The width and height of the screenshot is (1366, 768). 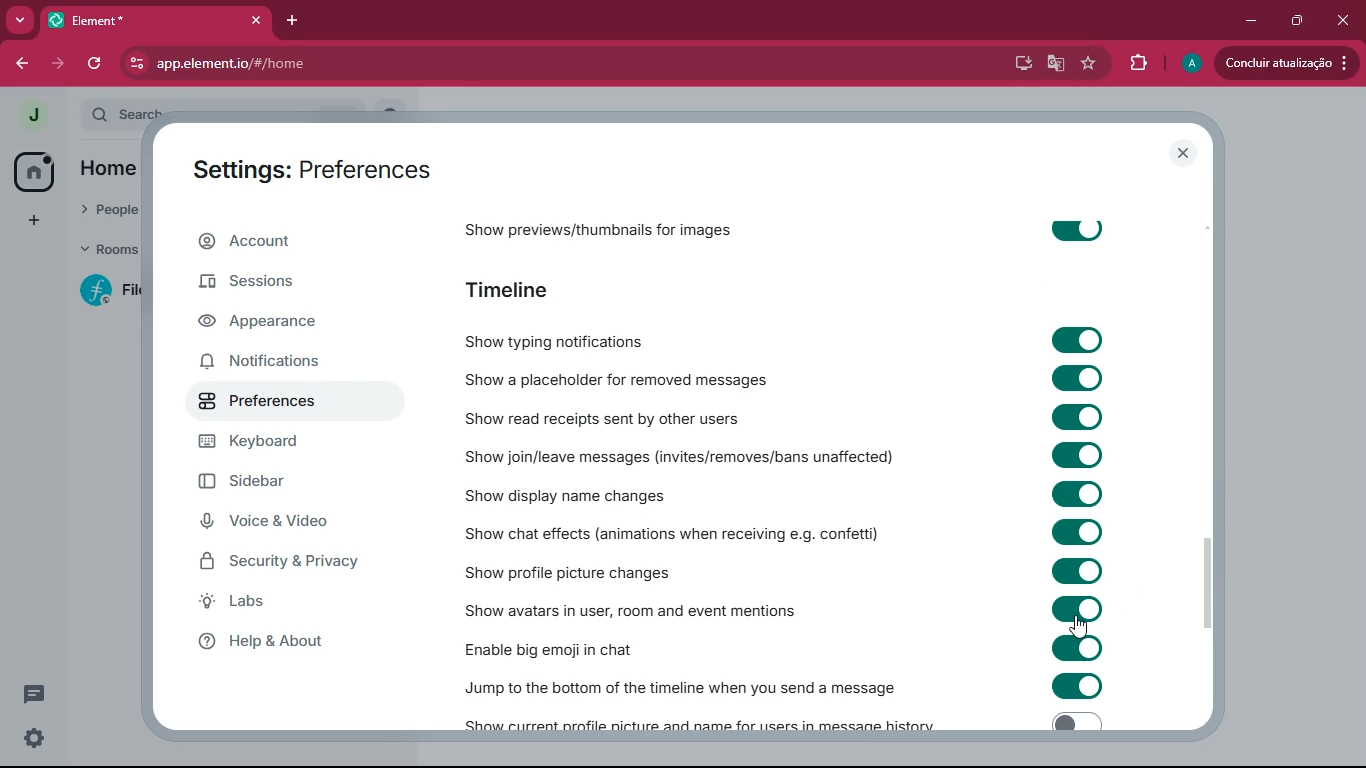 What do you see at coordinates (683, 682) in the screenshot?
I see `jump to the bottom of the timeline when you send a message` at bounding box center [683, 682].